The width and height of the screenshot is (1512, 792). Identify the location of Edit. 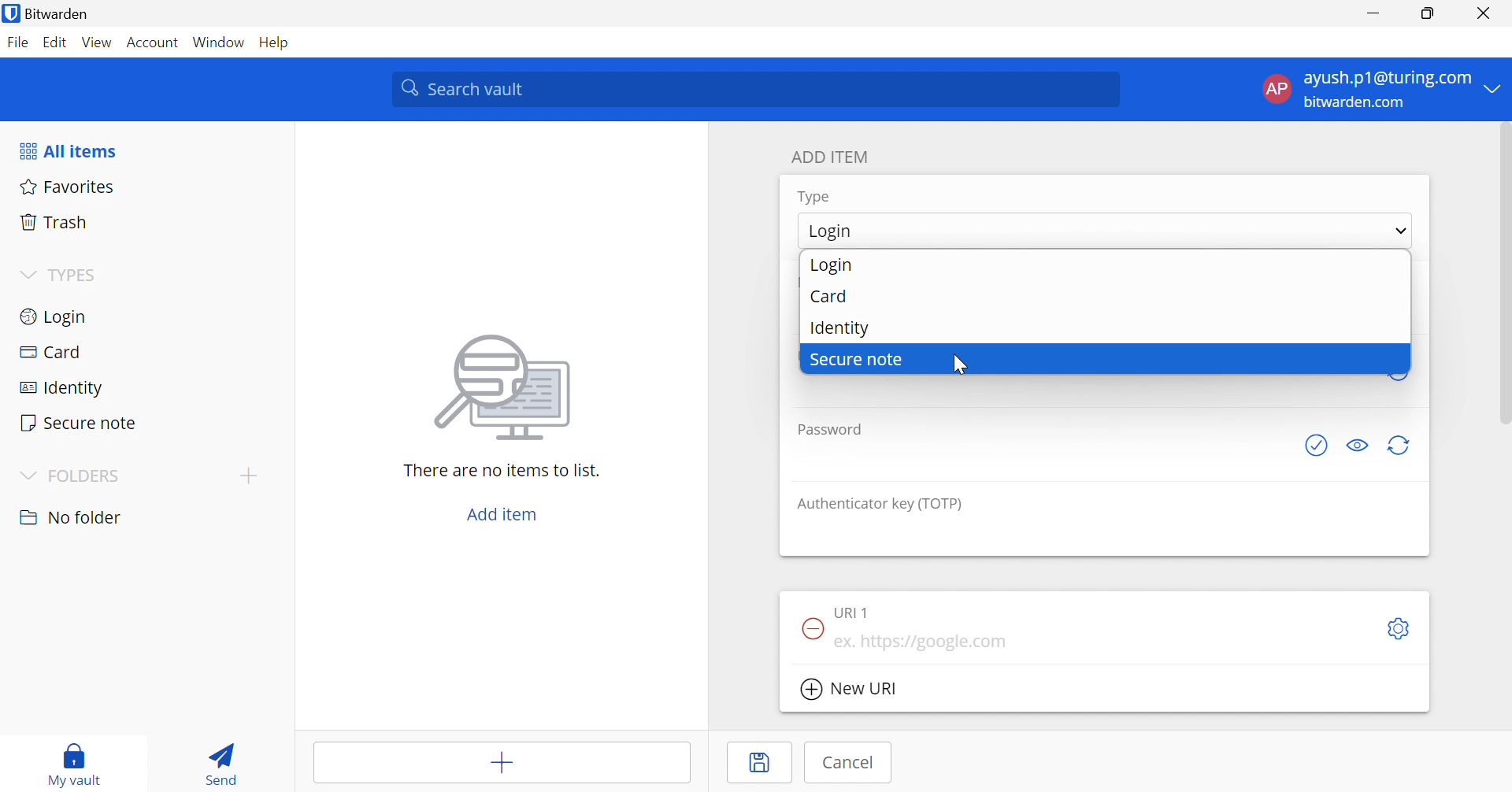
(57, 43).